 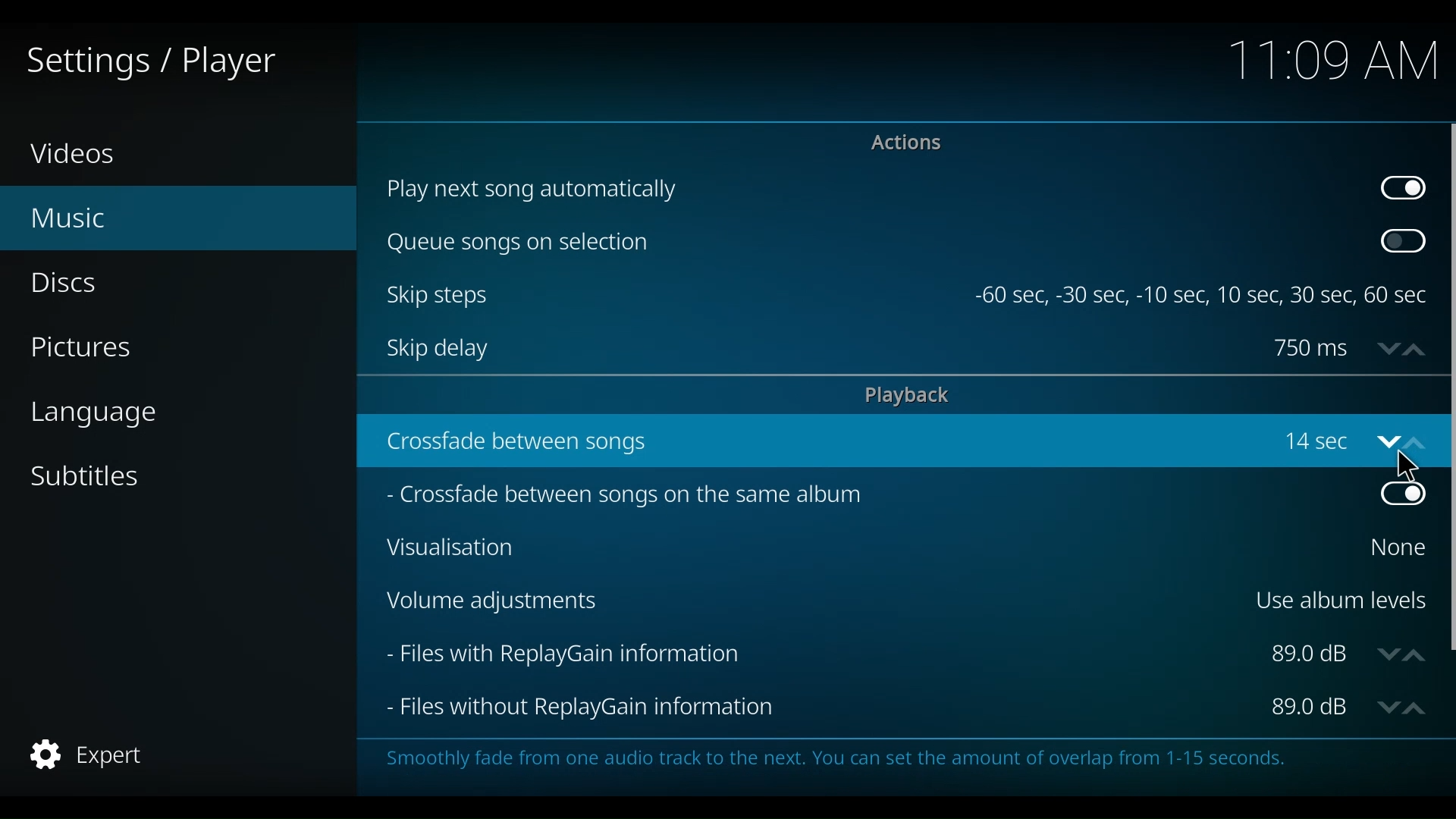 What do you see at coordinates (1311, 348) in the screenshot?
I see `Skip delay in ms` at bounding box center [1311, 348].